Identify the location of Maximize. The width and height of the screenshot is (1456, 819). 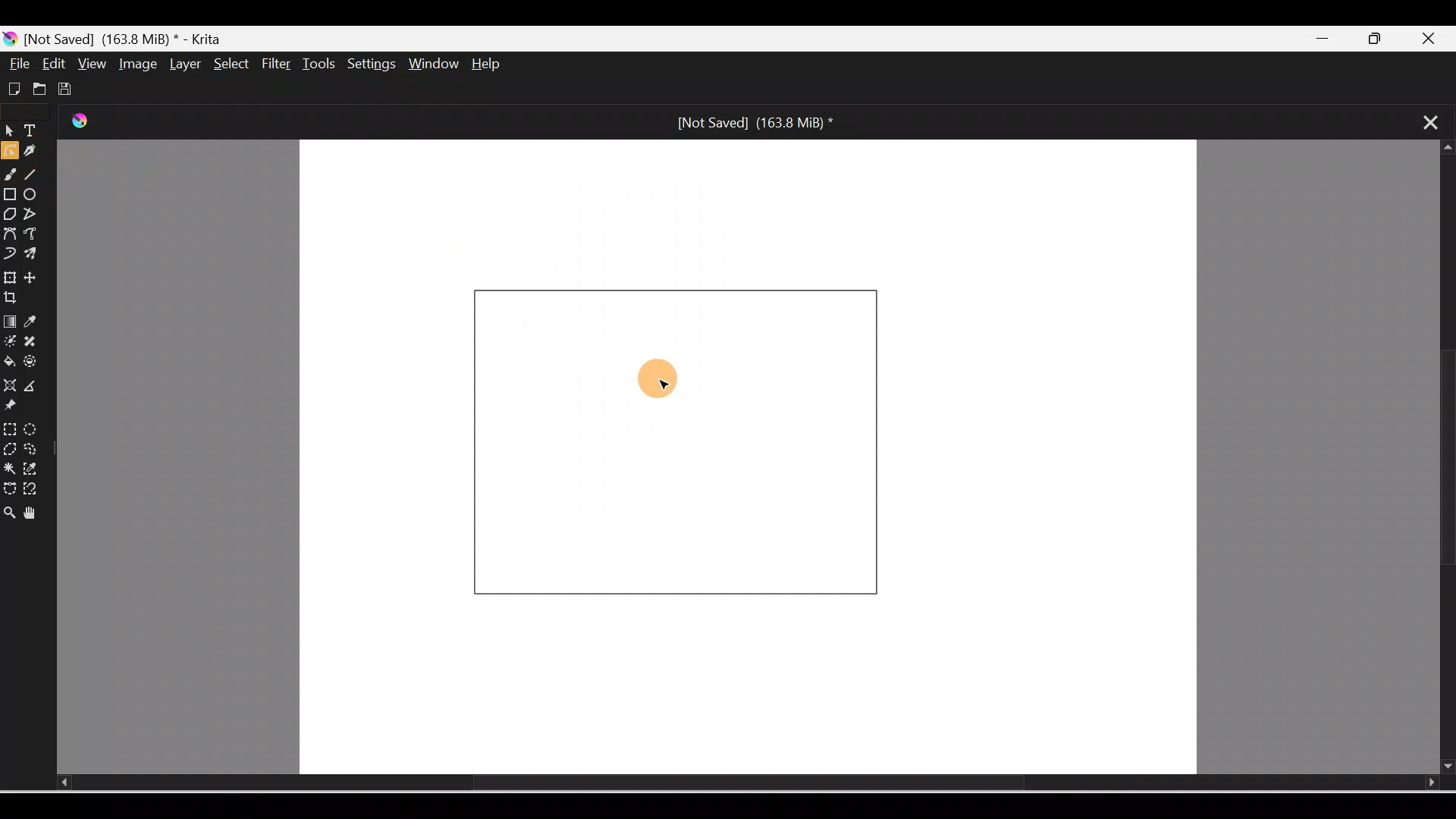
(1384, 39).